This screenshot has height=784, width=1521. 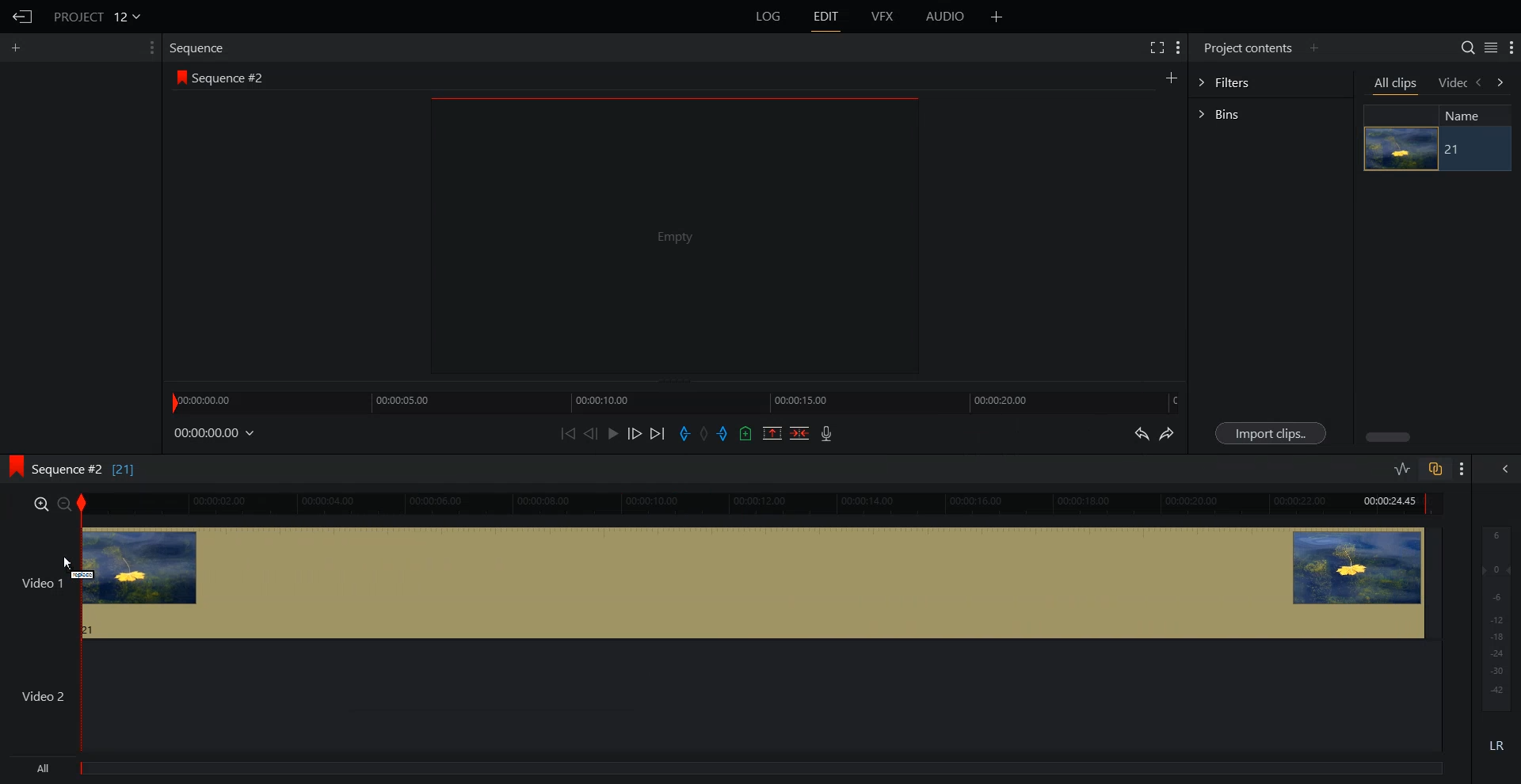 What do you see at coordinates (1462, 470) in the screenshot?
I see `Show Setting Menu` at bounding box center [1462, 470].